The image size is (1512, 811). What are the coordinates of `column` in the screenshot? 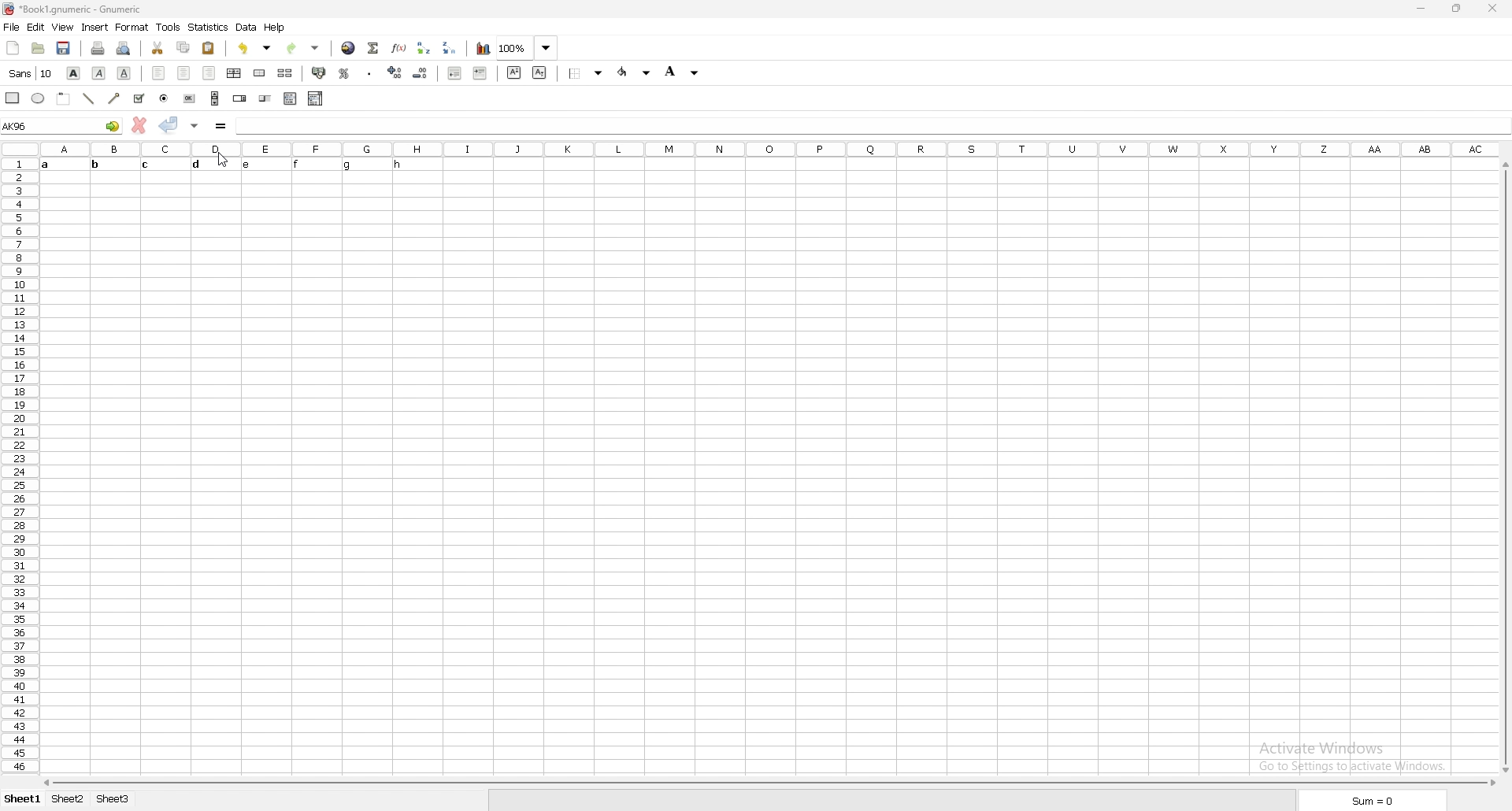 It's located at (773, 148).